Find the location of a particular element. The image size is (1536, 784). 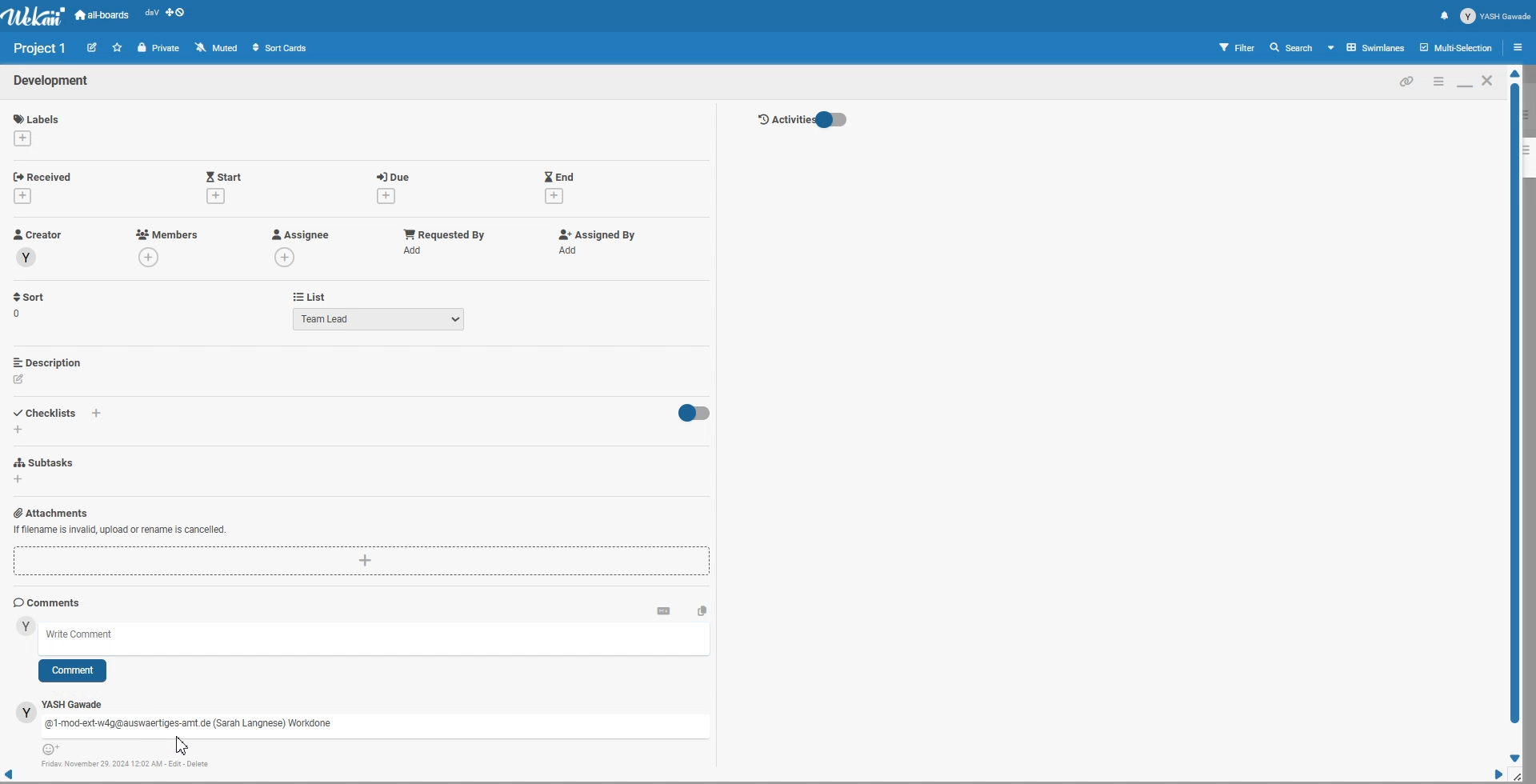

Add Description is located at coordinates (49, 362).